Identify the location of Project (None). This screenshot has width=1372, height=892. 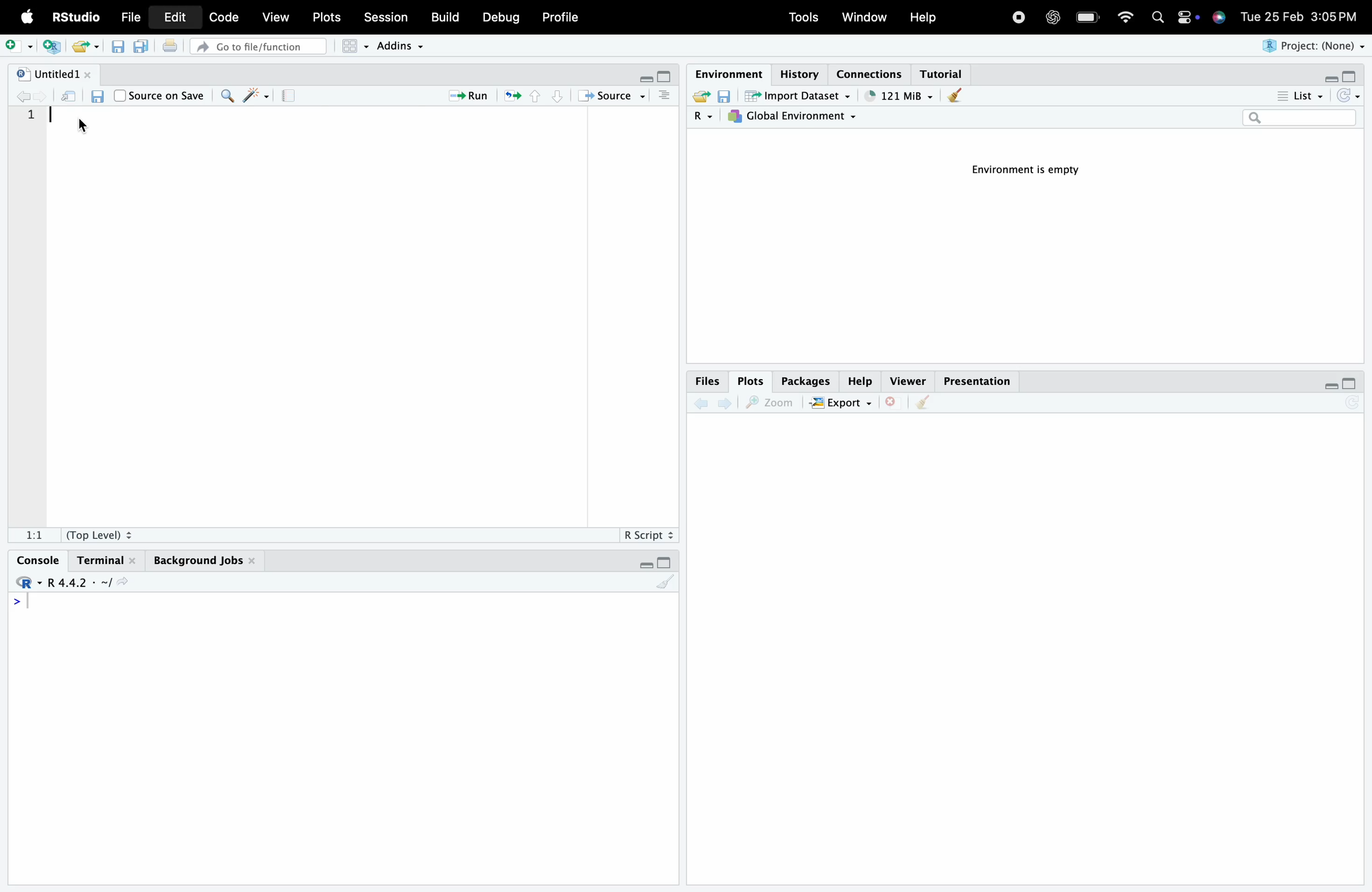
(1315, 47).